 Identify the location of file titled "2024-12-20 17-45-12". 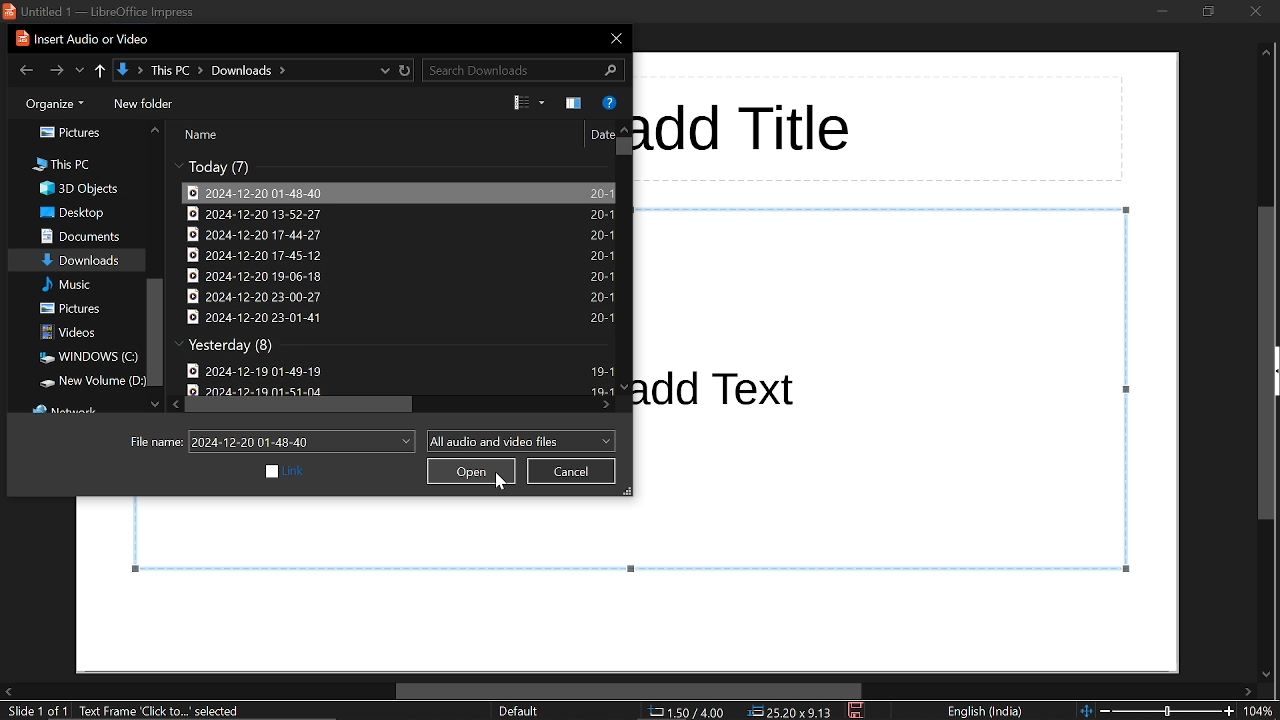
(395, 256).